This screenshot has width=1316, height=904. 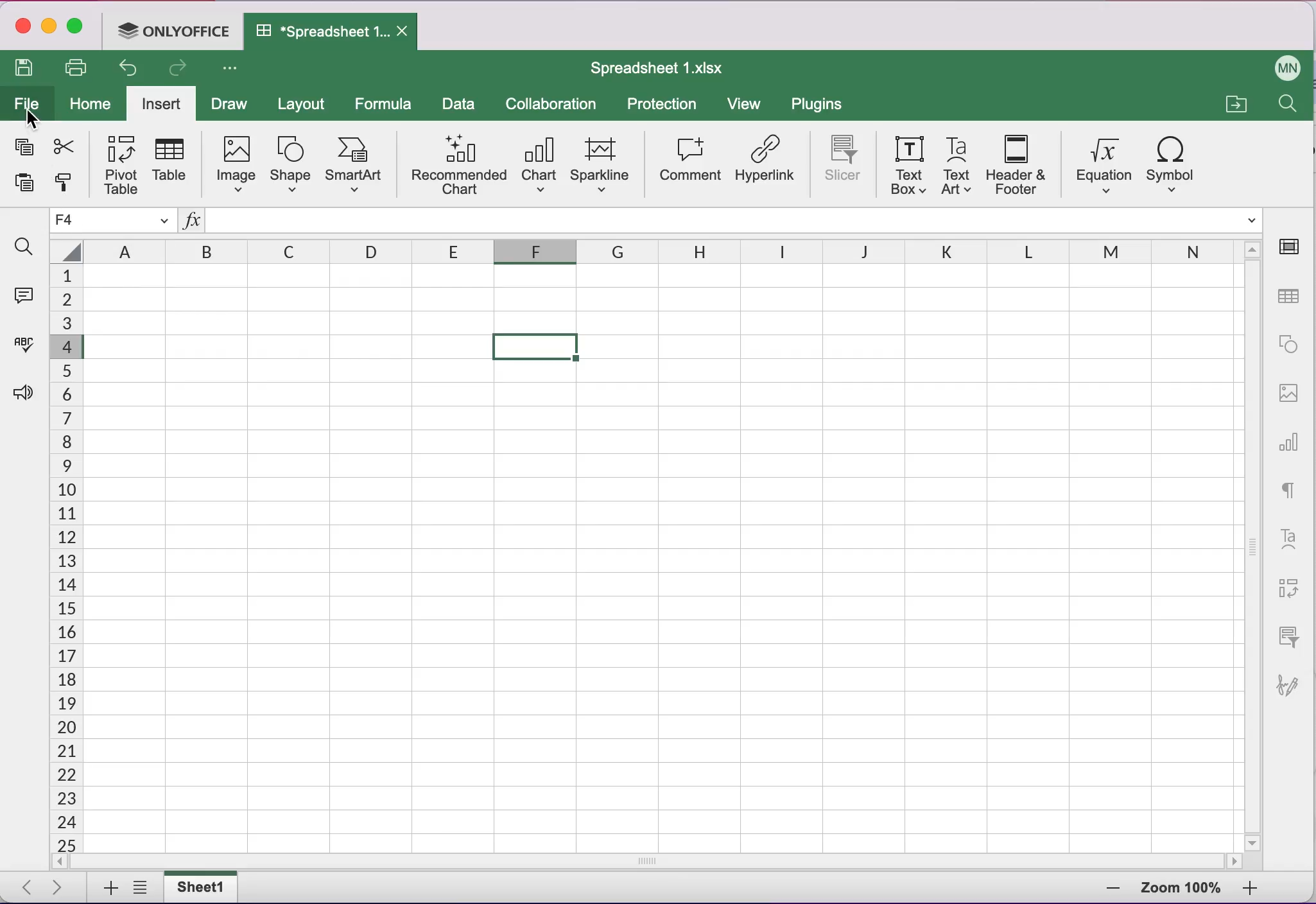 What do you see at coordinates (27, 69) in the screenshot?
I see `save` at bounding box center [27, 69].